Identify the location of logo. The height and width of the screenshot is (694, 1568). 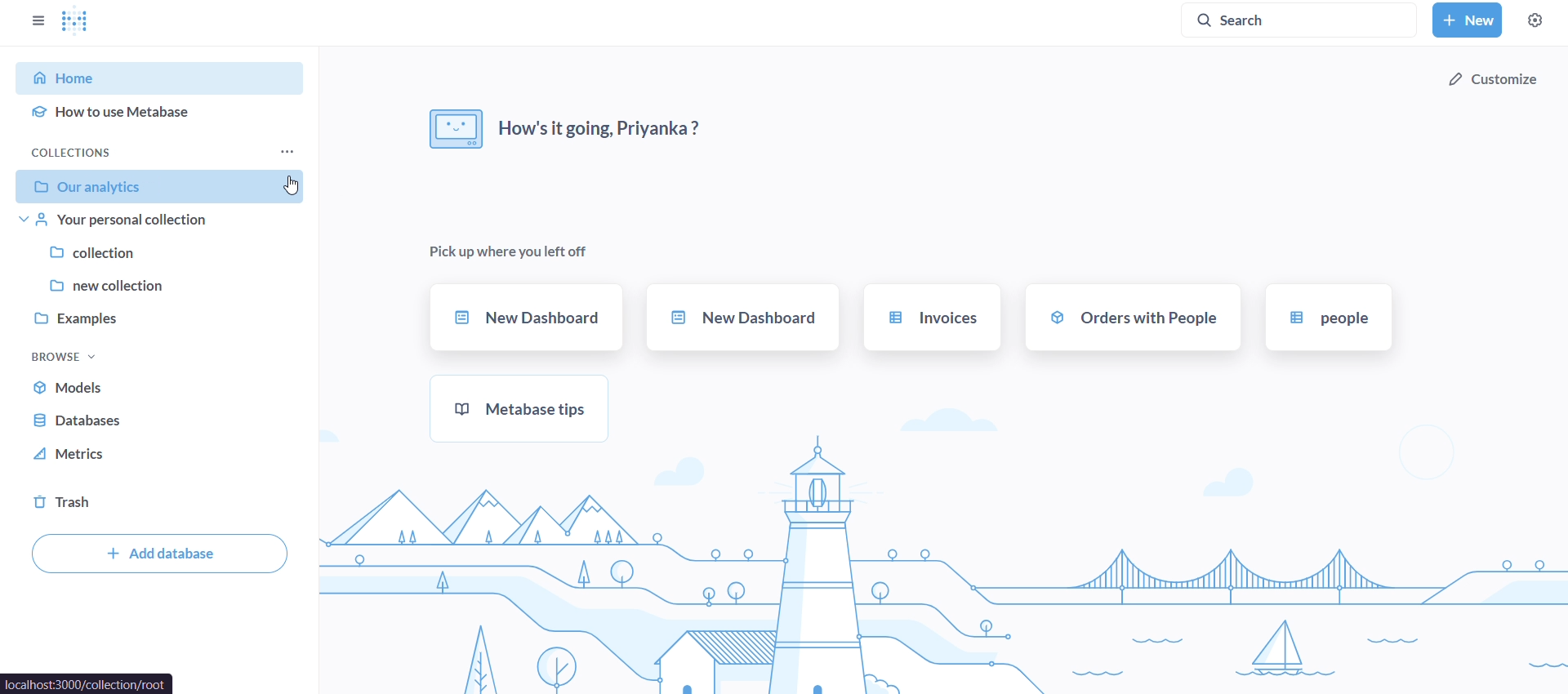
(84, 19).